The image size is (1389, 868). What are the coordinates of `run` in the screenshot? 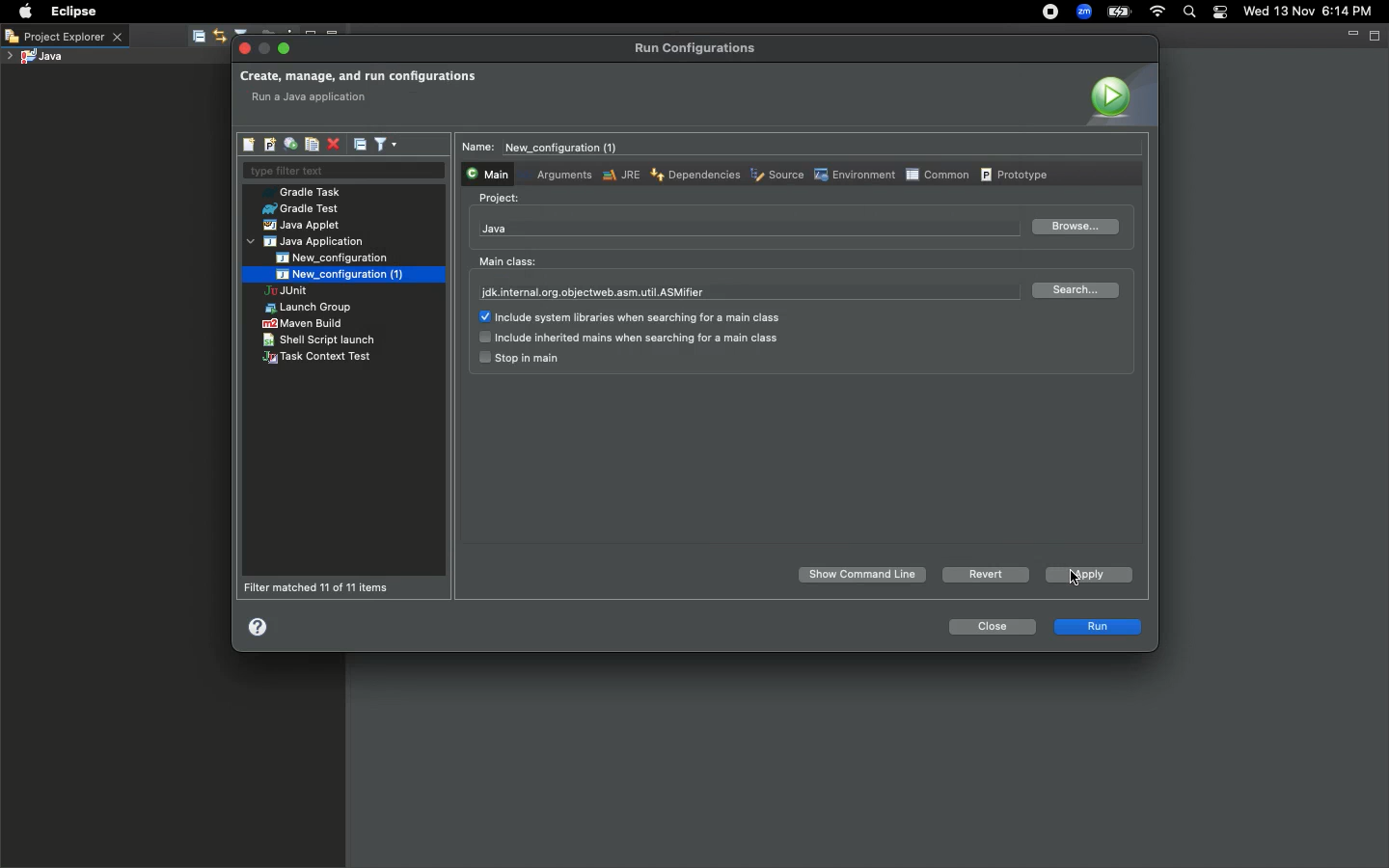 It's located at (1099, 628).